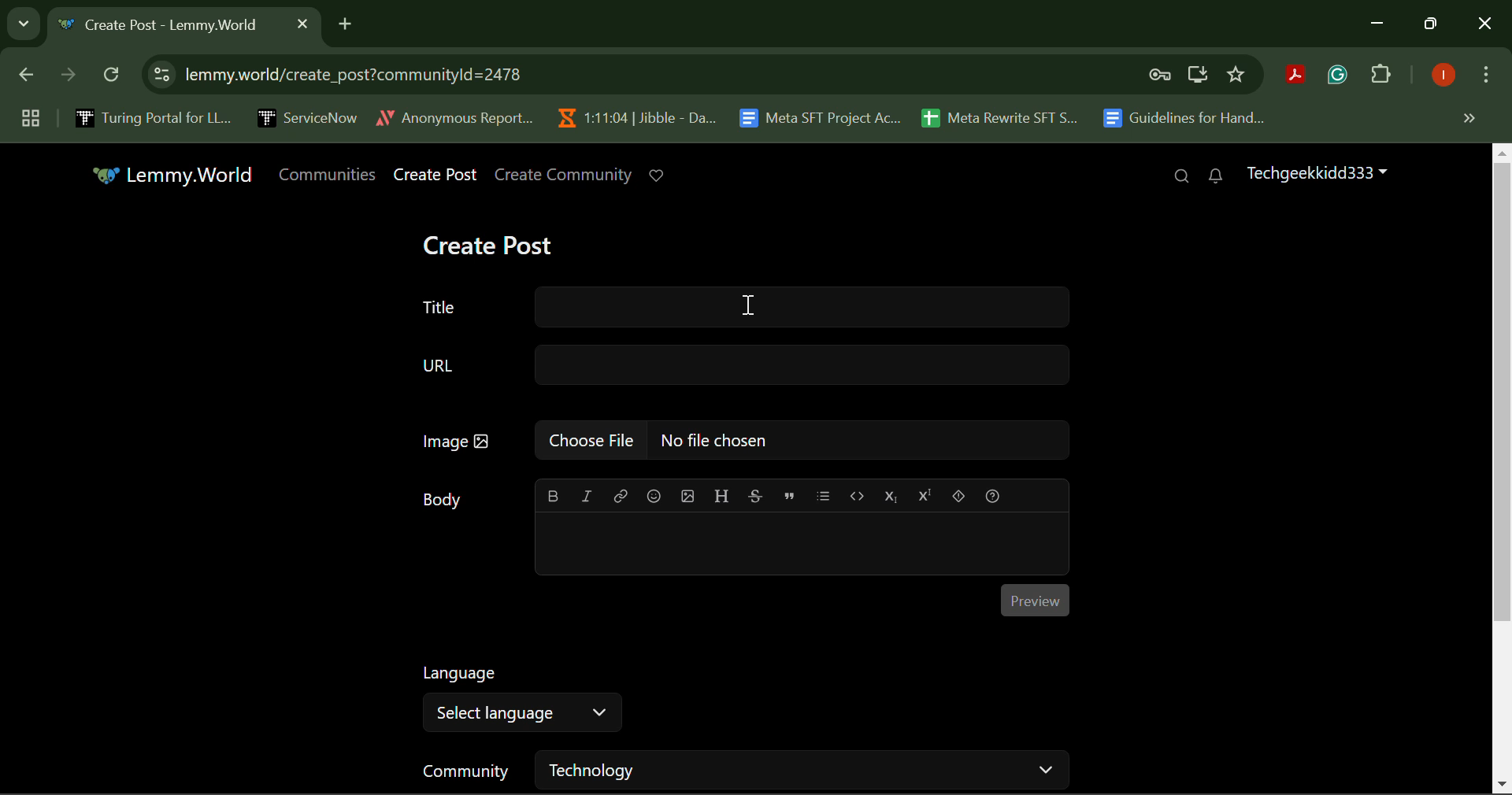 The image size is (1512, 795). Describe the element at coordinates (655, 496) in the screenshot. I see `emoji` at that location.